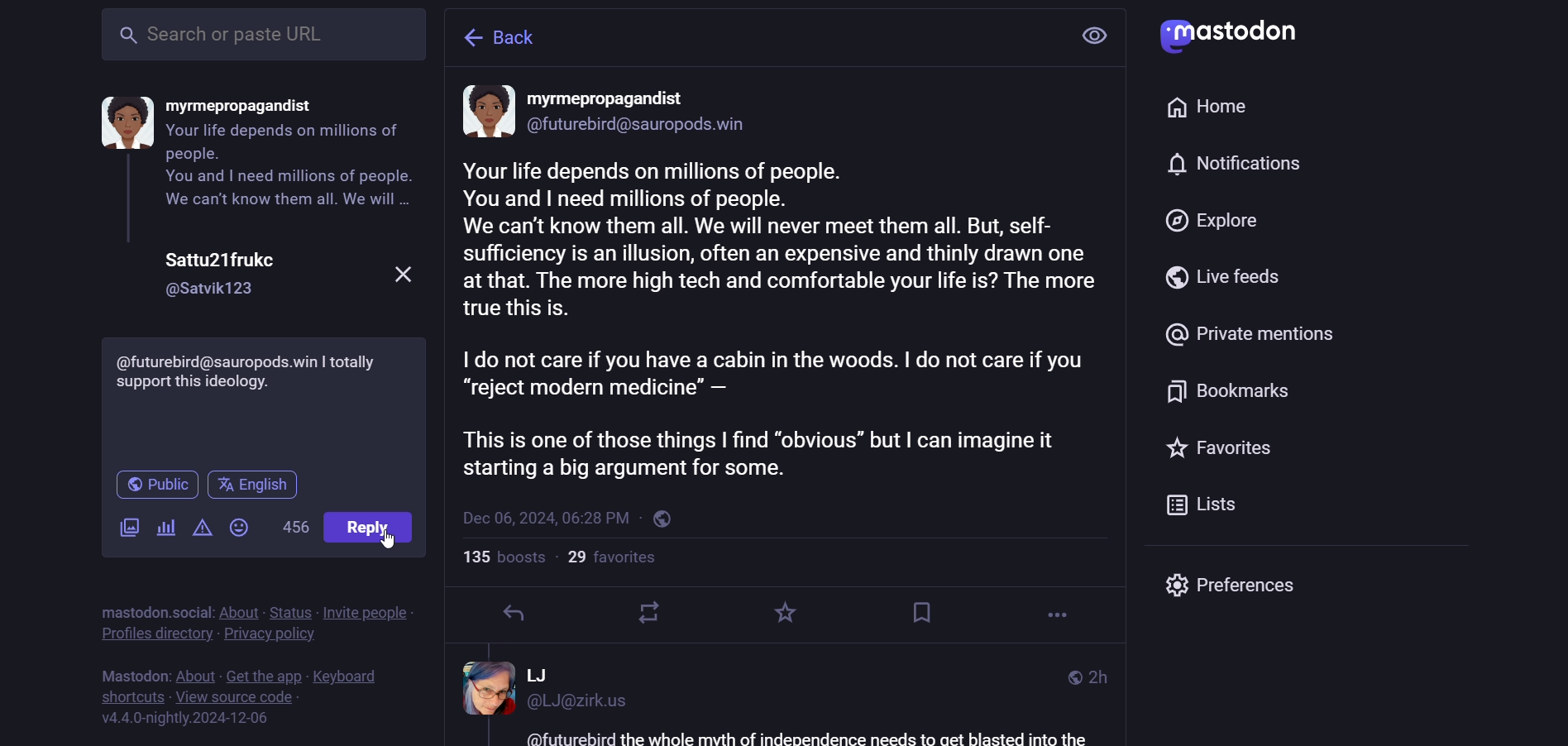 The height and width of the screenshot is (746, 1568). I want to click on invite people, so click(370, 612).